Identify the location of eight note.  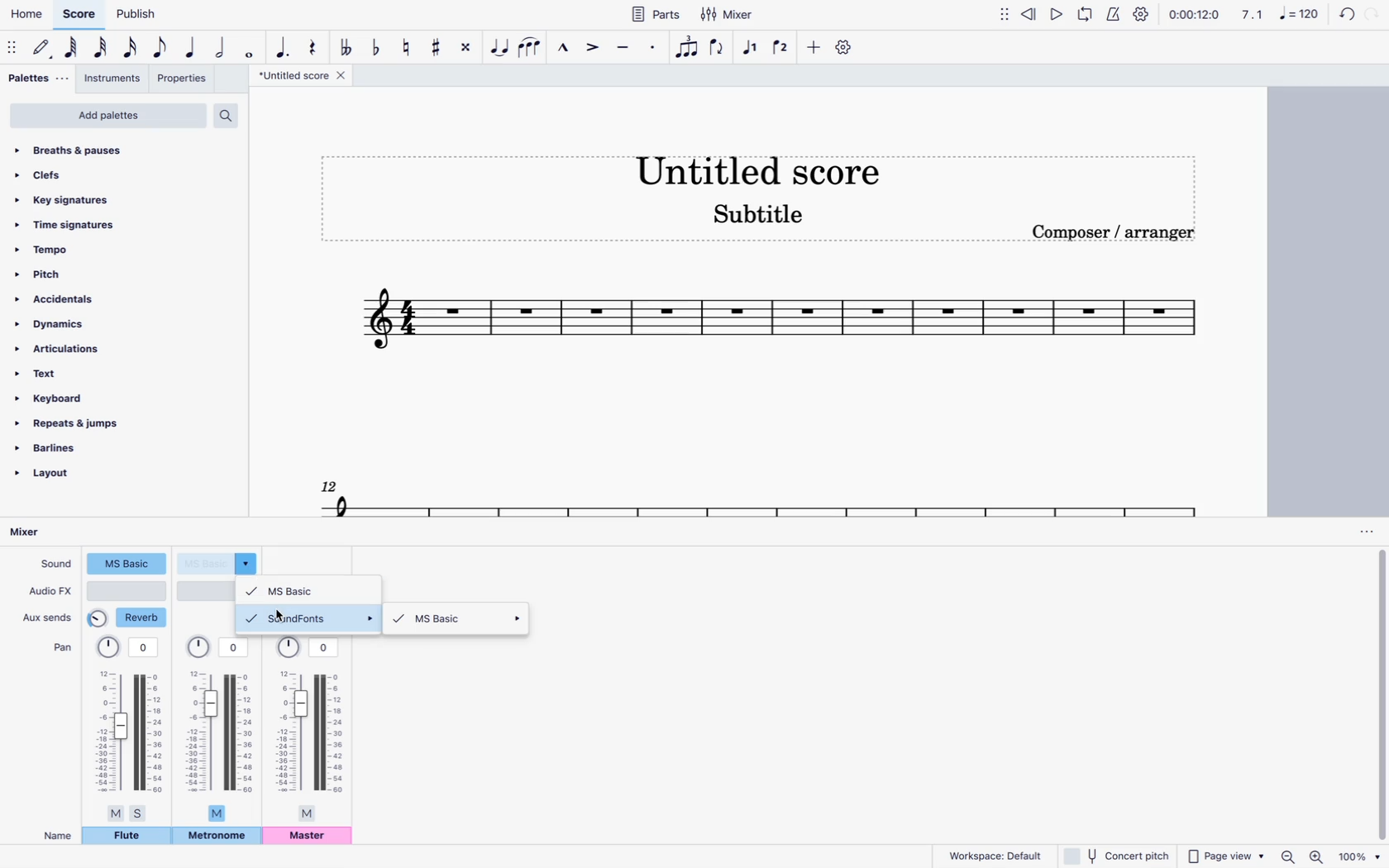
(161, 47).